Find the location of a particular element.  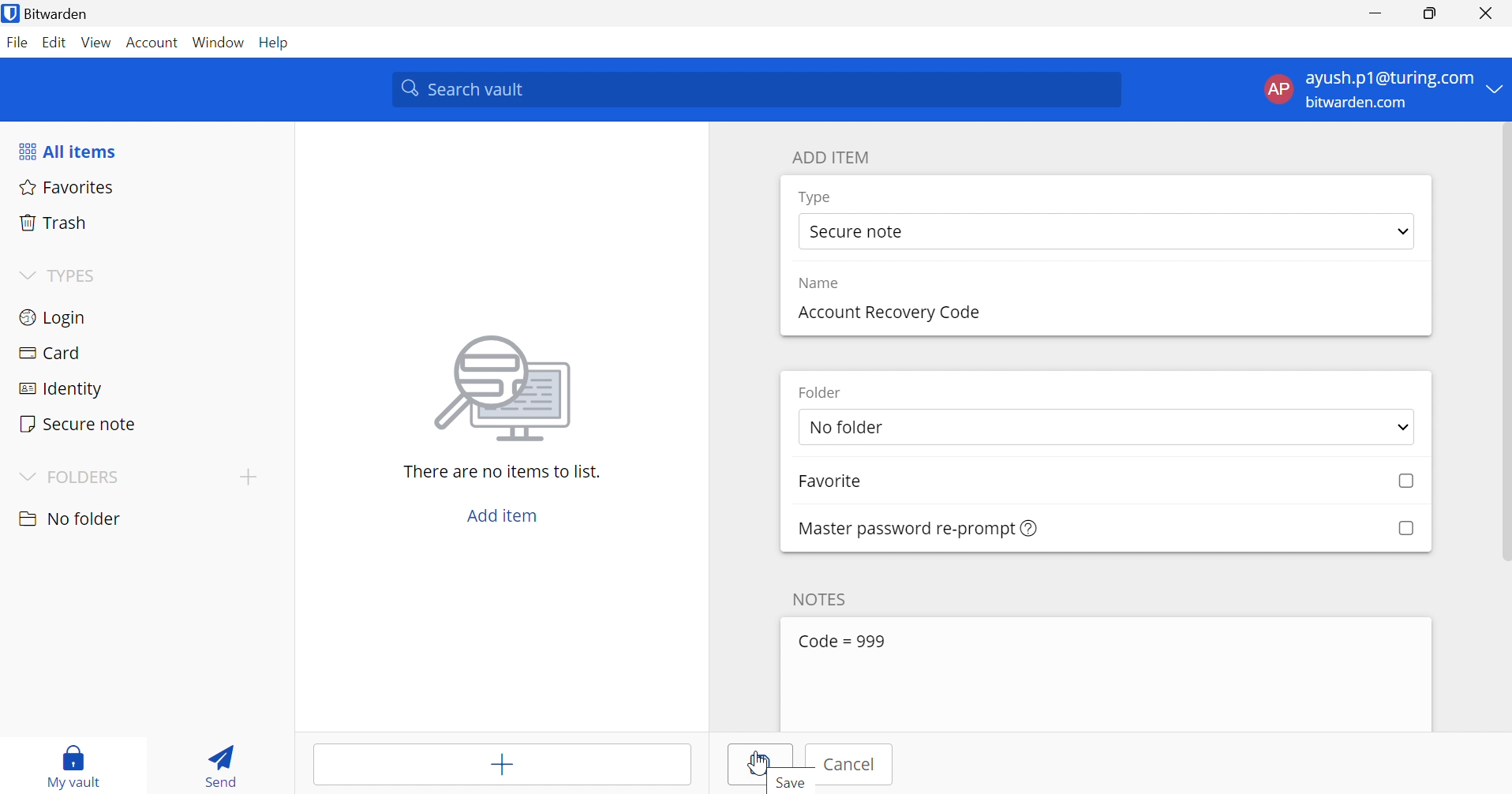

Help is located at coordinates (276, 43).